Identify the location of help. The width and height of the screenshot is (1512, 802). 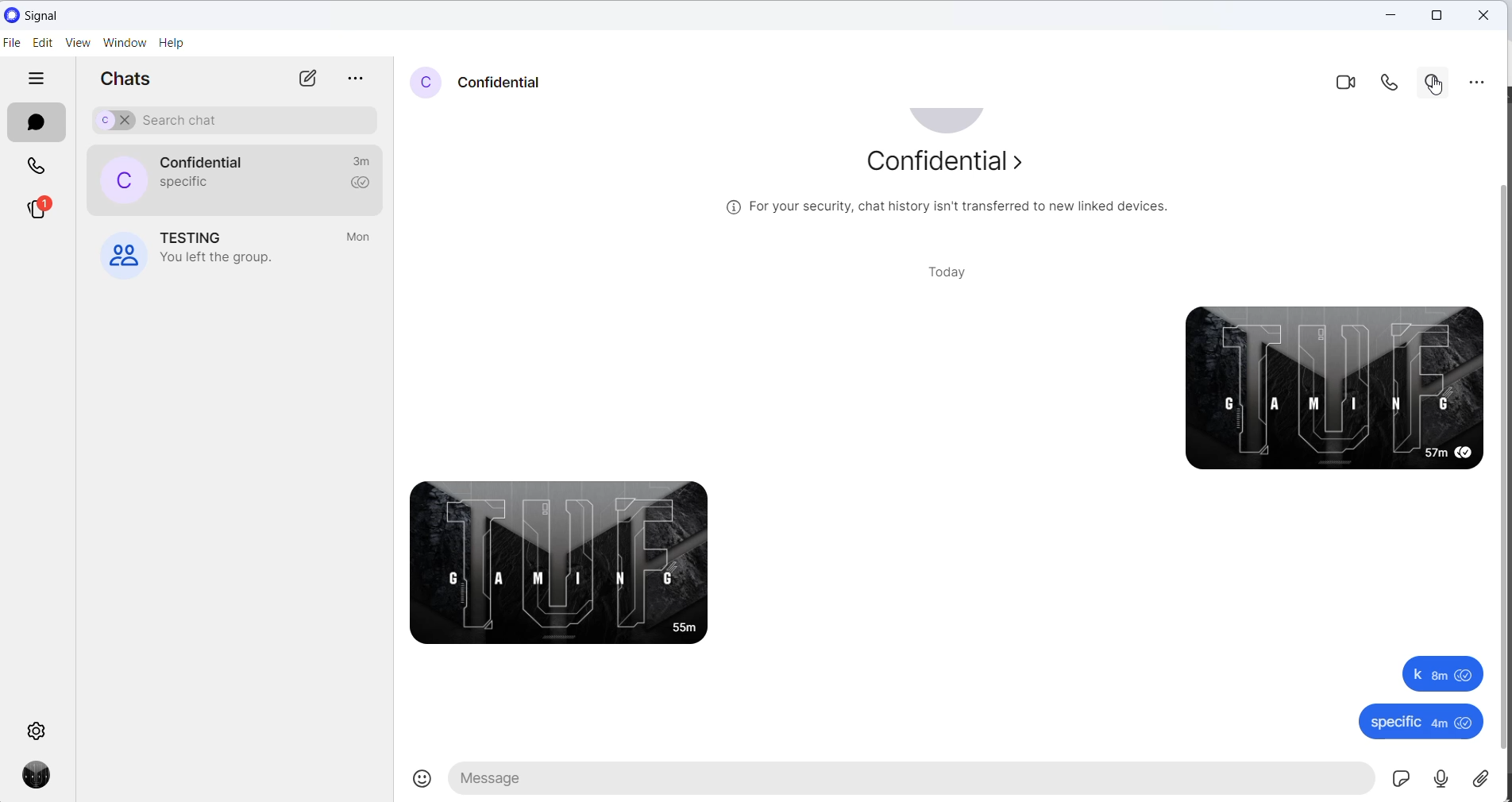
(172, 44).